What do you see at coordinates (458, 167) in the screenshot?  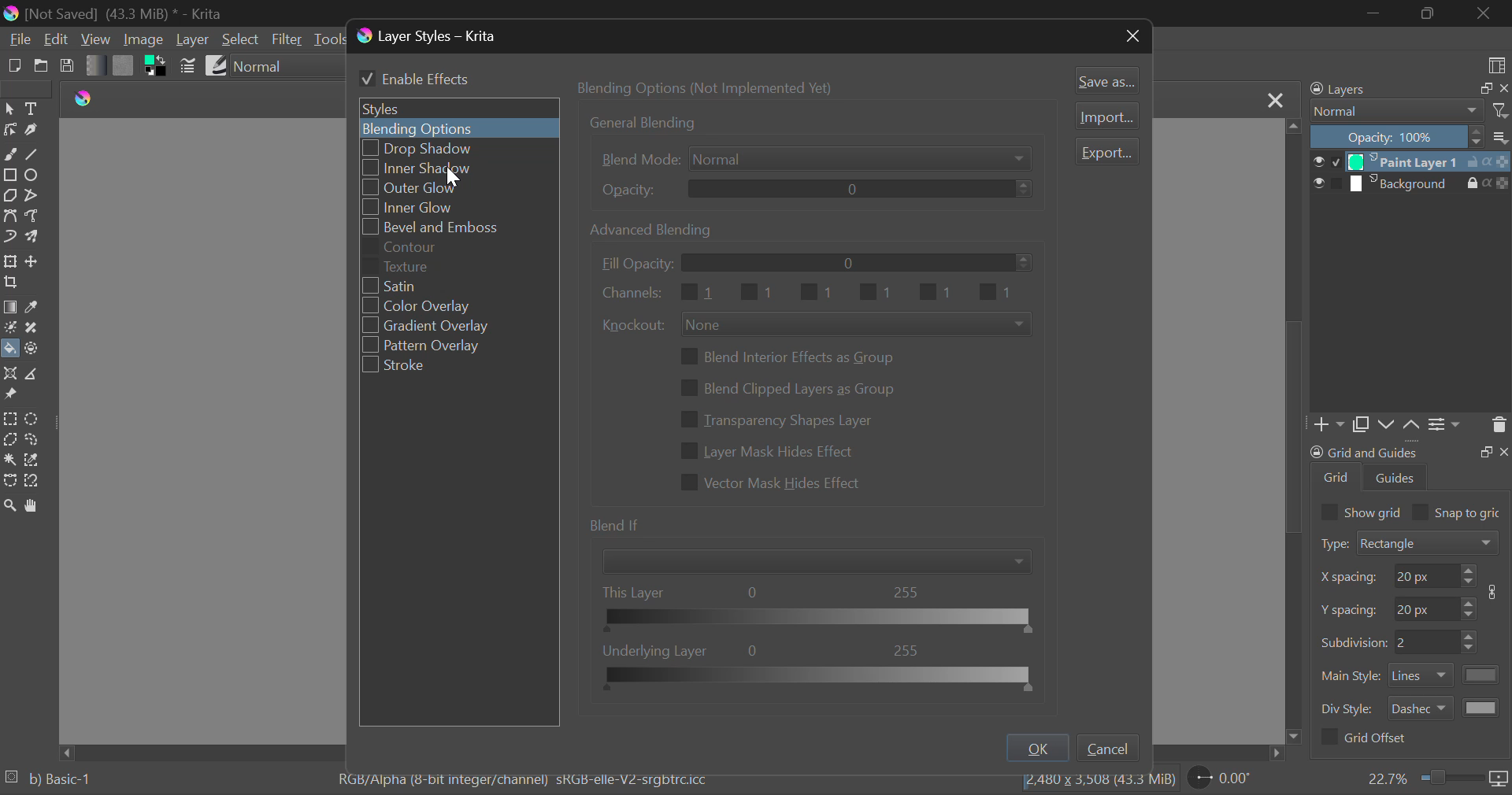 I see `Cursor on Inner Shadow` at bounding box center [458, 167].